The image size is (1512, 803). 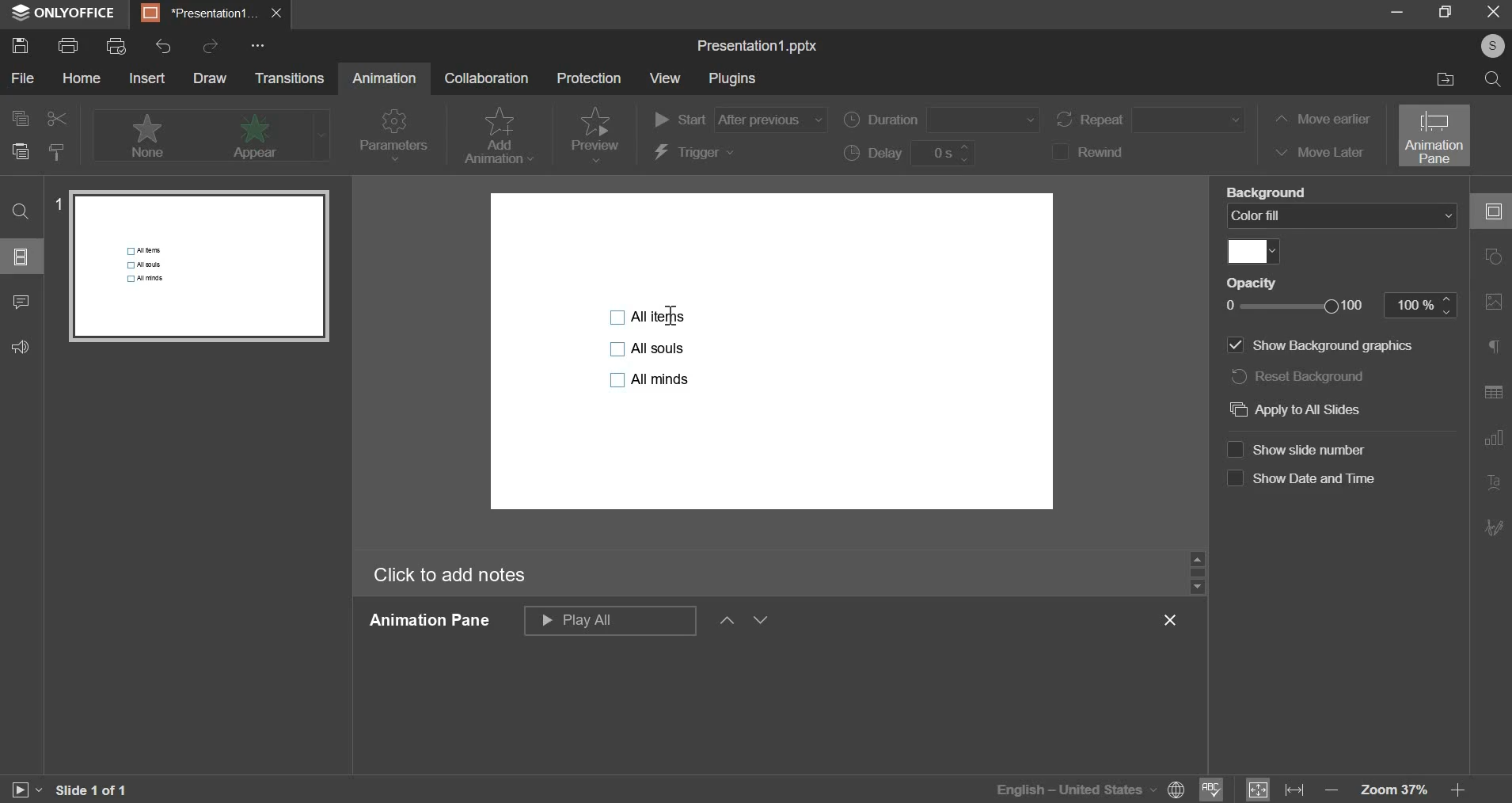 I want to click on slide 1 of 1, so click(x=90, y=790).